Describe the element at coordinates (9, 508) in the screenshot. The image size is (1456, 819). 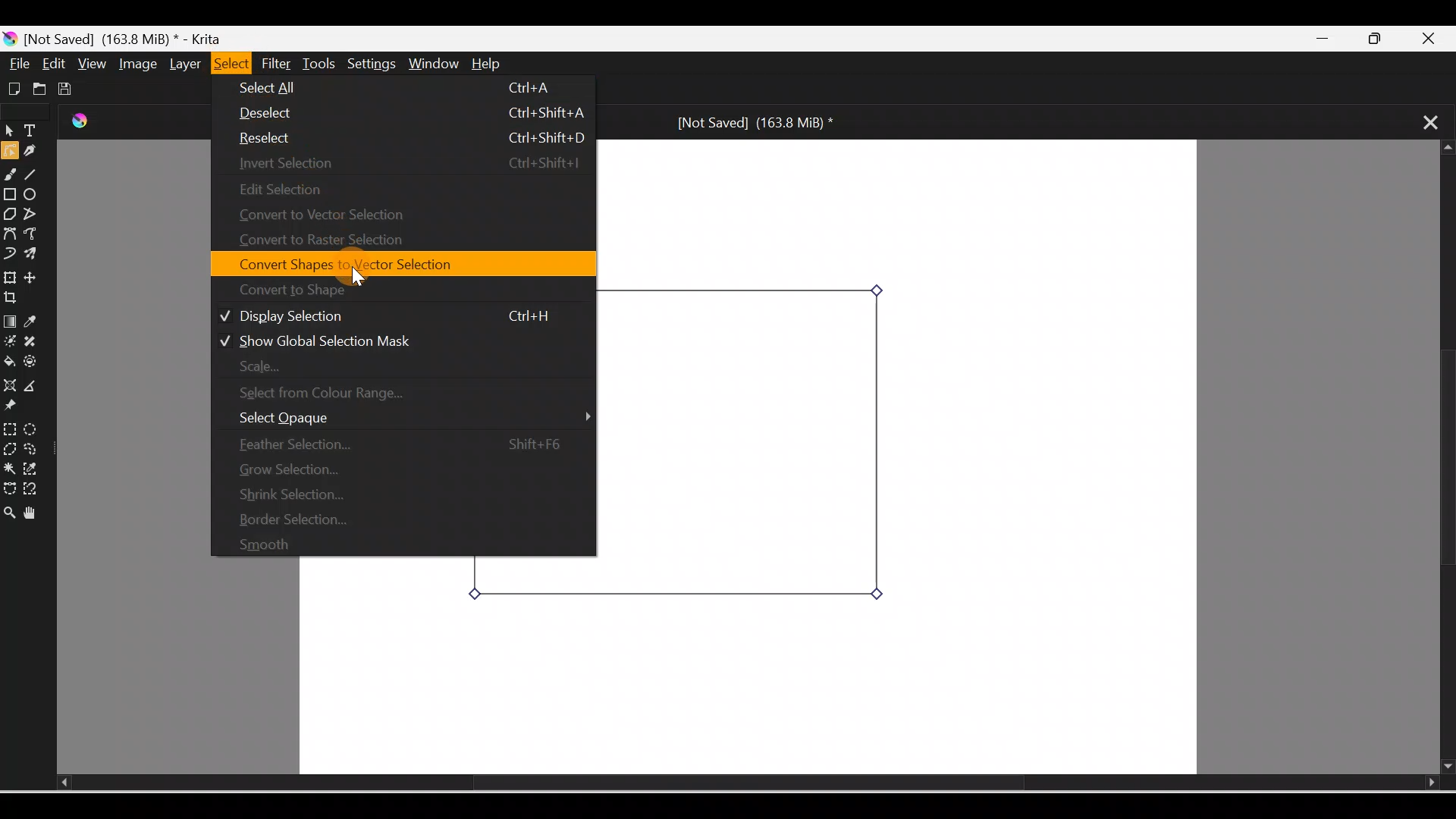
I see `Zoom tool` at that location.